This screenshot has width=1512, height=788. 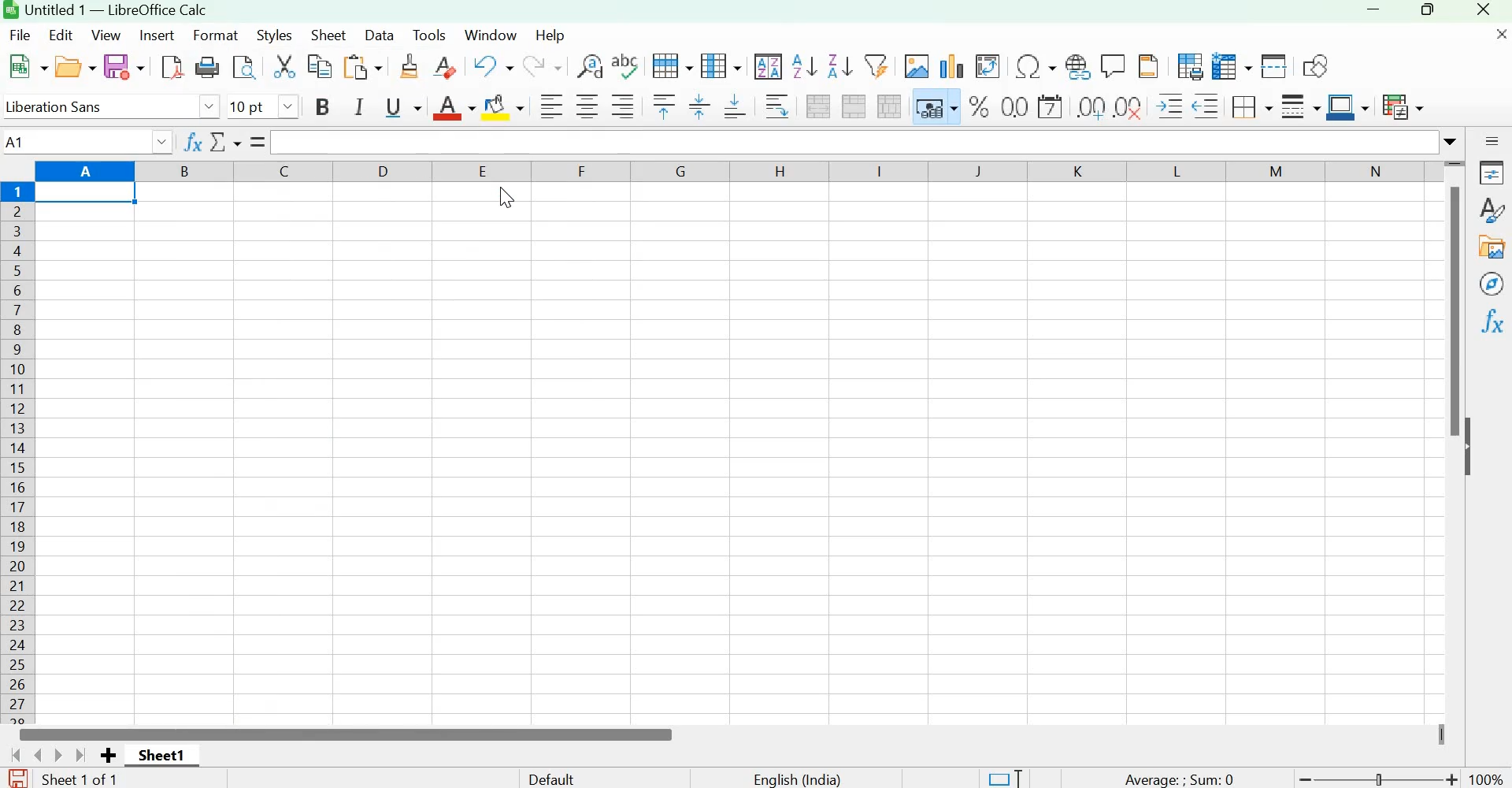 What do you see at coordinates (360, 108) in the screenshot?
I see `Itallic` at bounding box center [360, 108].